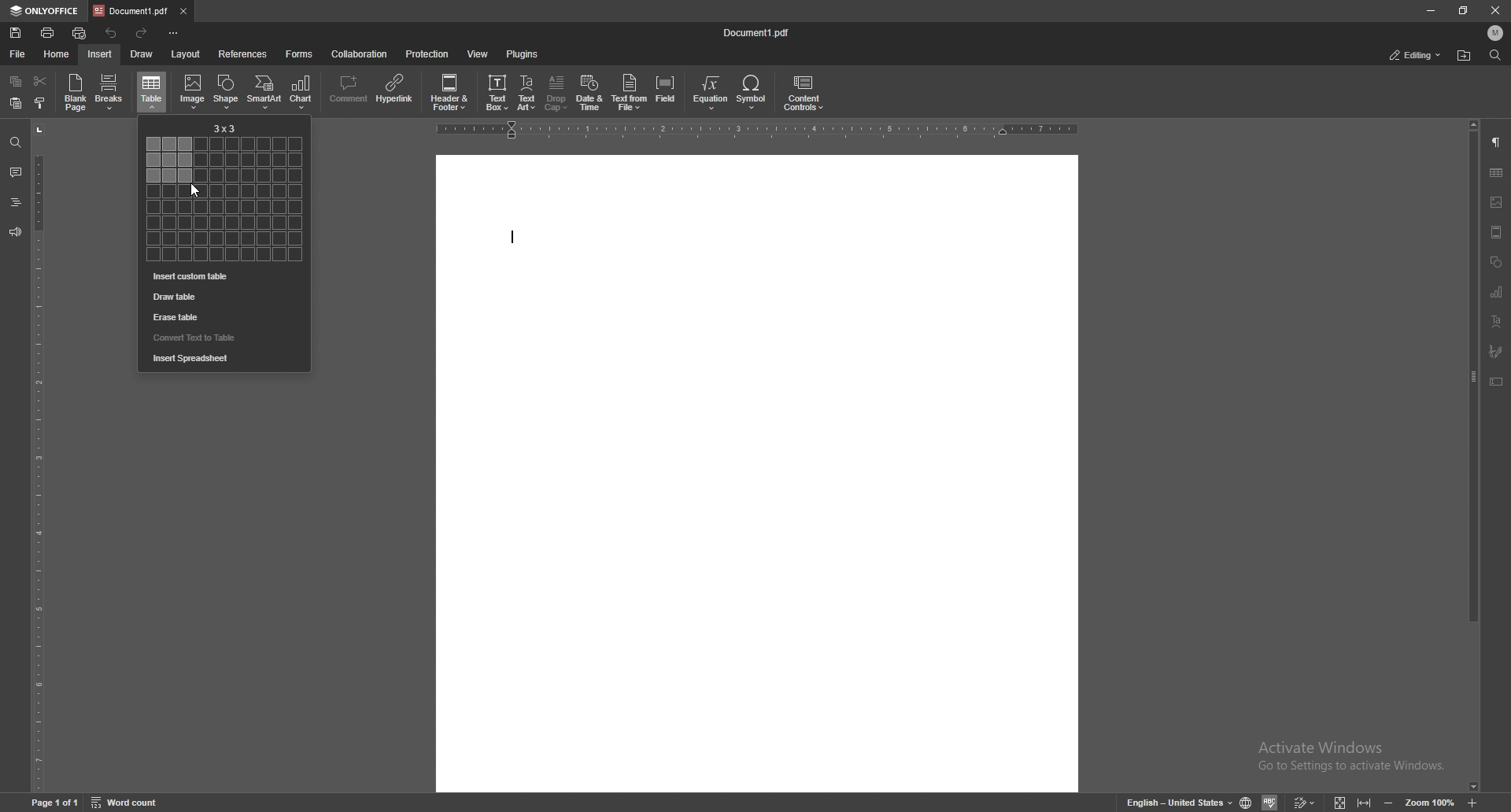 The width and height of the screenshot is (1511, 812). What do you see at coordinates (17, 33) in the screenshot?
I see `save` at bounding box center [17, 33].